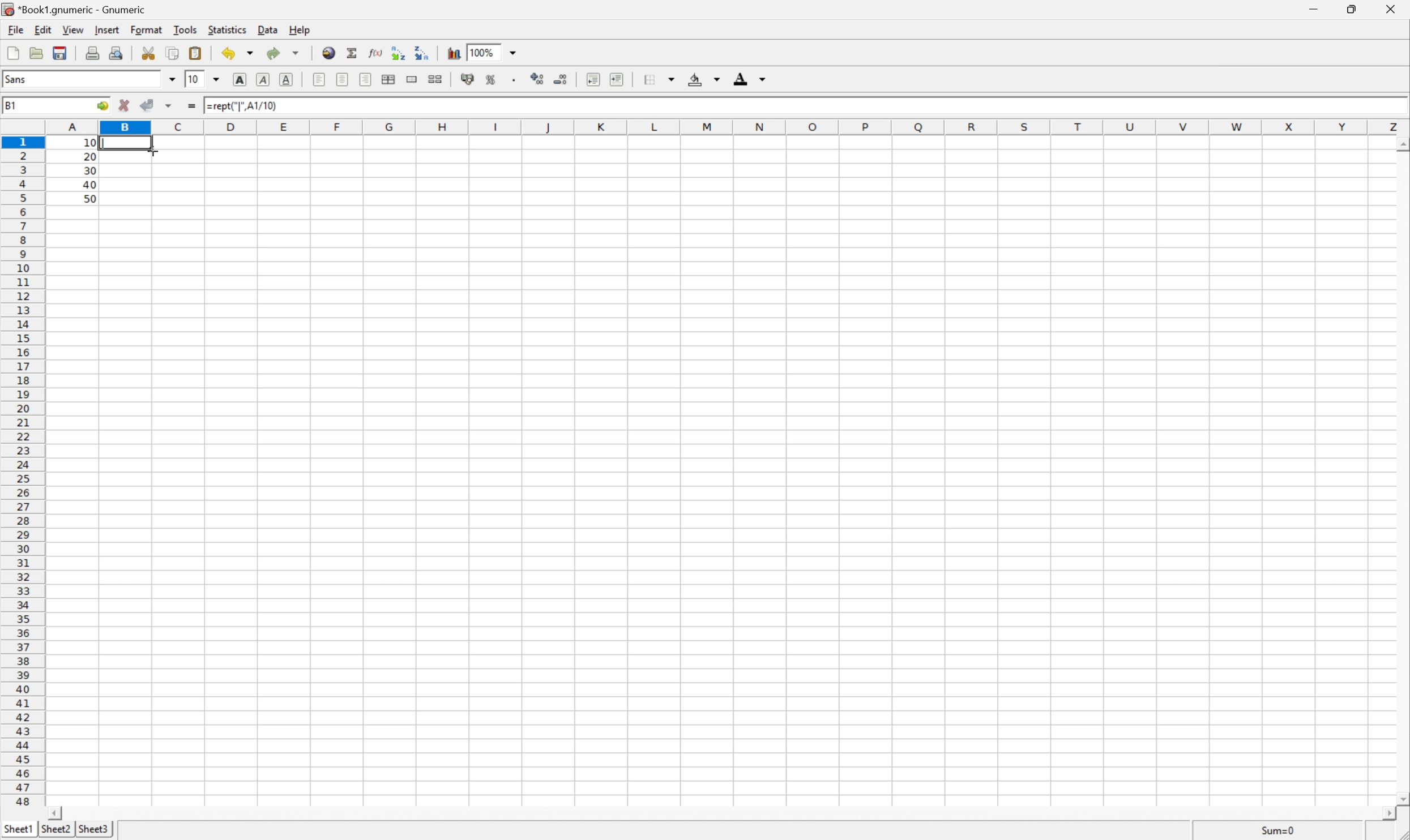  Describe the element at coordinates (227, 30) in the screenshot. I see `Statistics` at that location.